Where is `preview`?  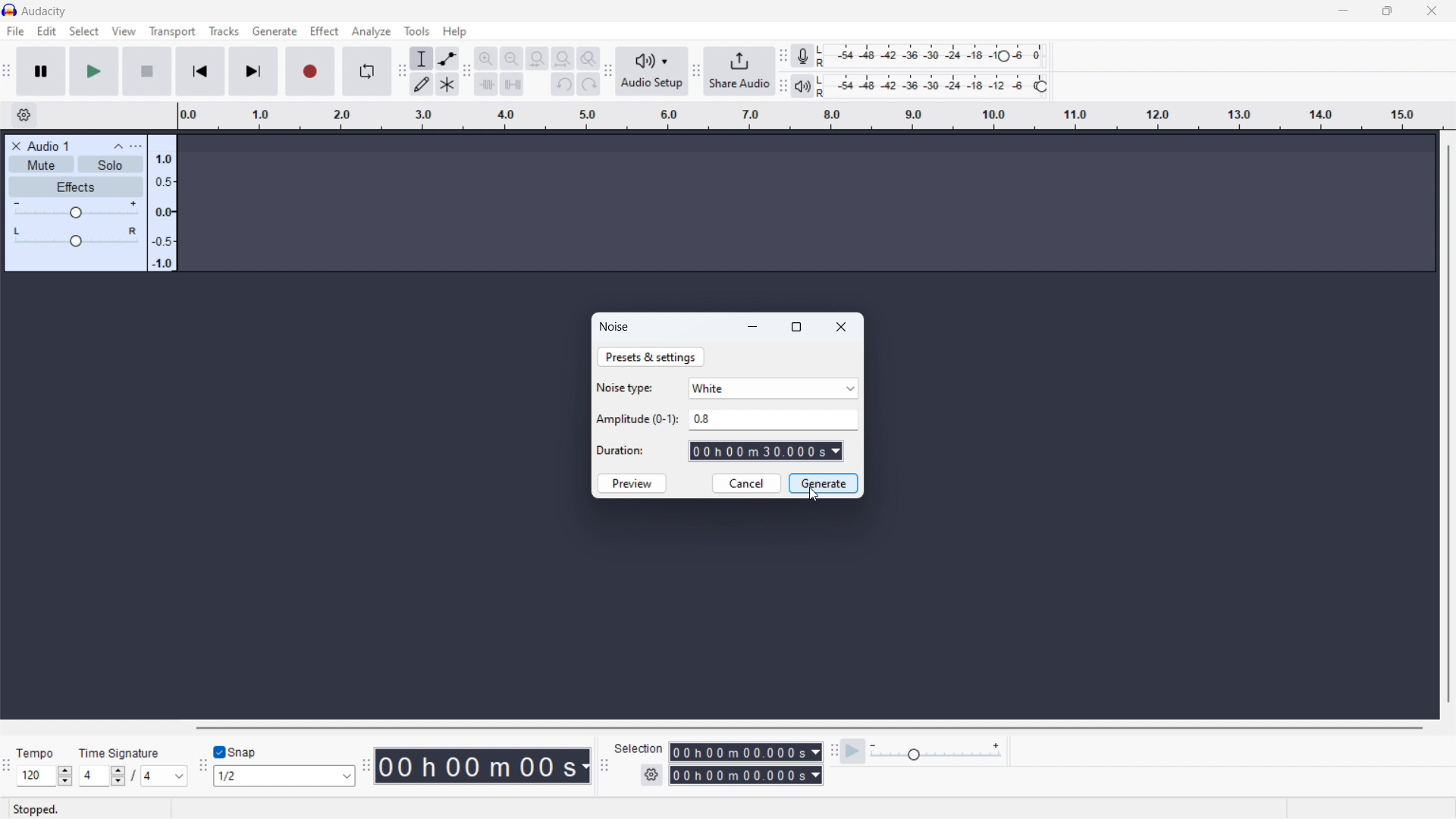
preview is located at coordinates (632, 483).